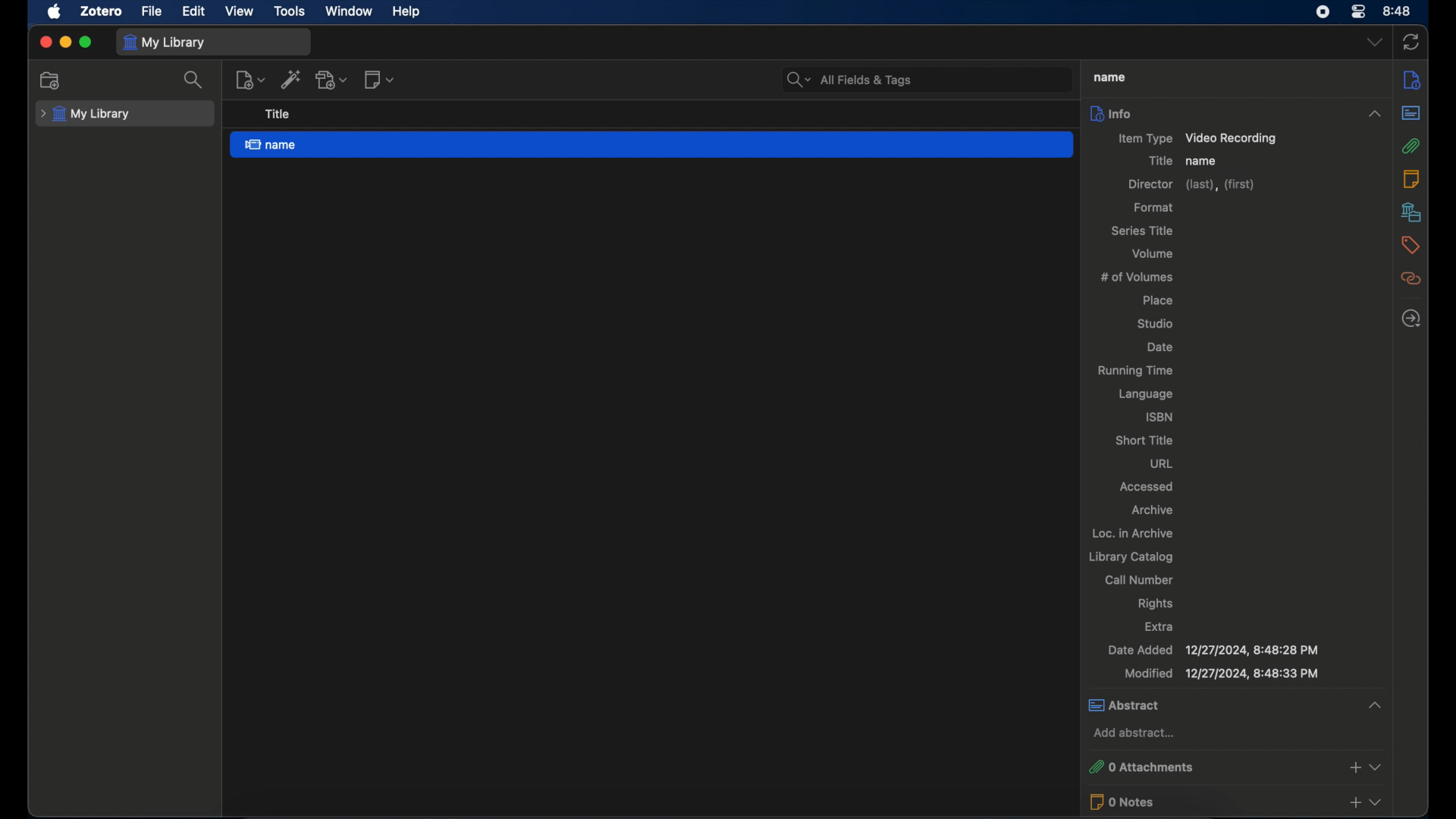  Describe the element at coordinates (1156, 604) in the screenshot. I see `rights` at that location.